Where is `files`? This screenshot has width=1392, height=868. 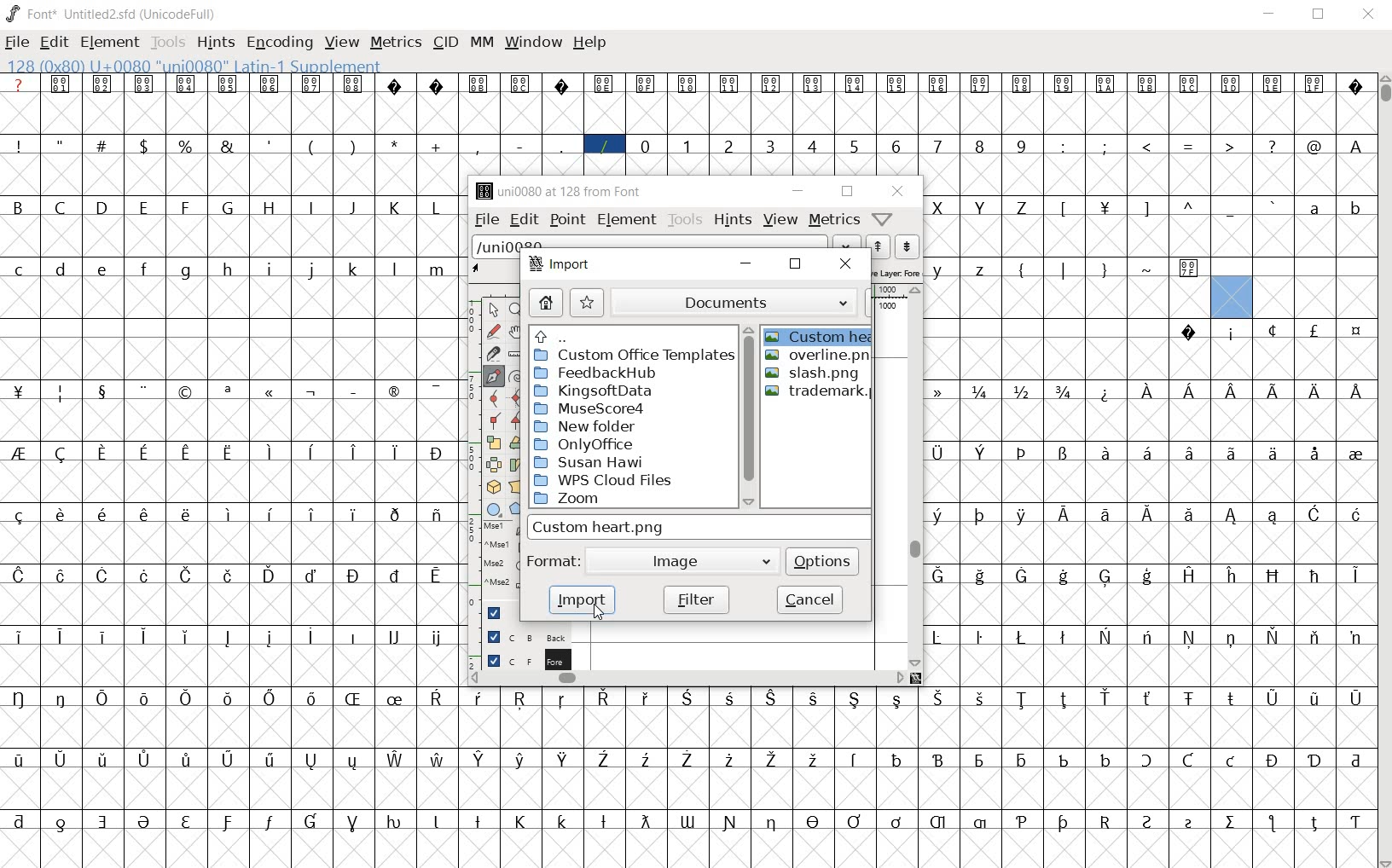
files is located at coordinates (818, 428).